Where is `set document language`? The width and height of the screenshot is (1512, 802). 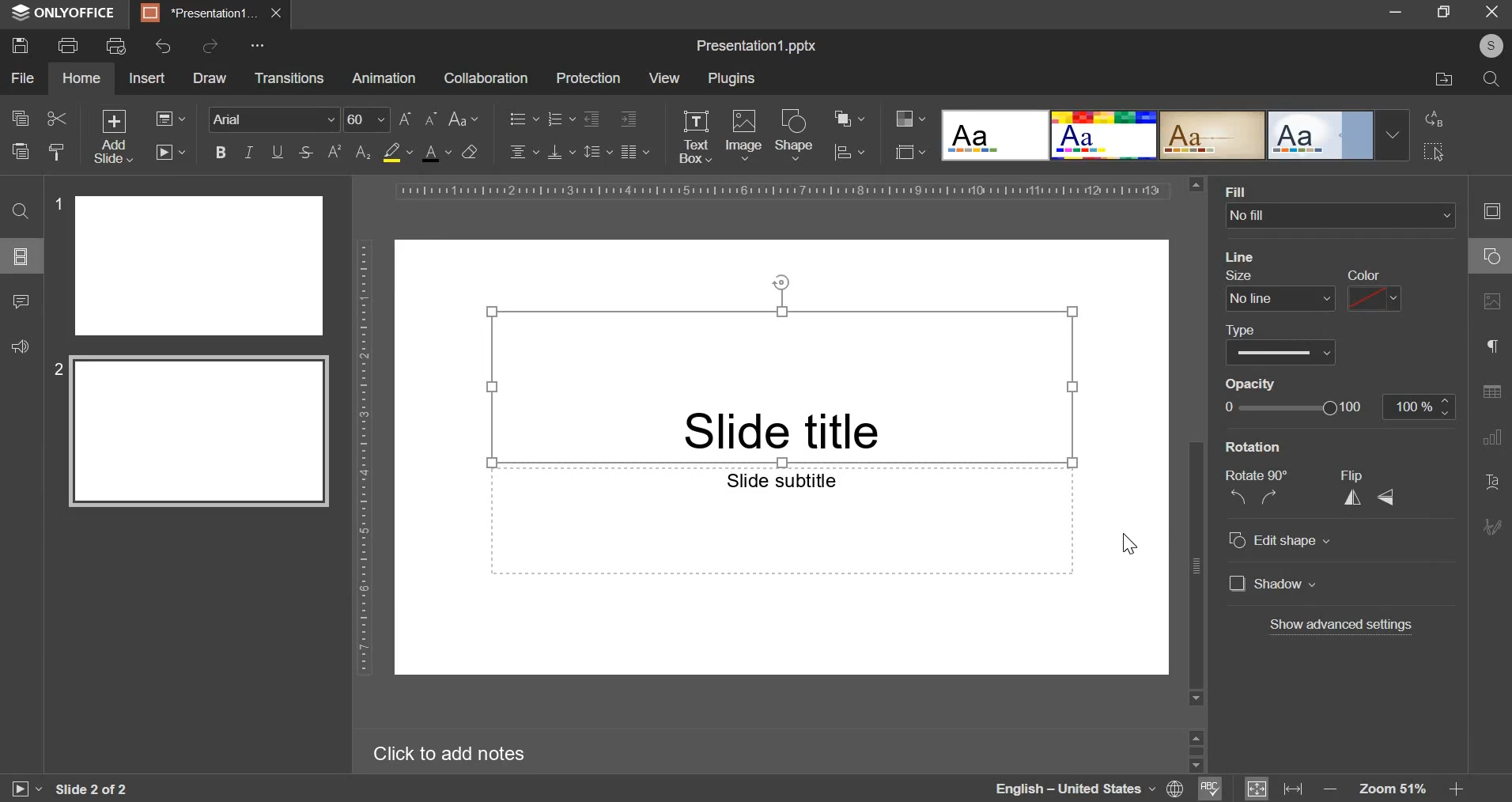 set document language is located at coordinates (1176, 789).